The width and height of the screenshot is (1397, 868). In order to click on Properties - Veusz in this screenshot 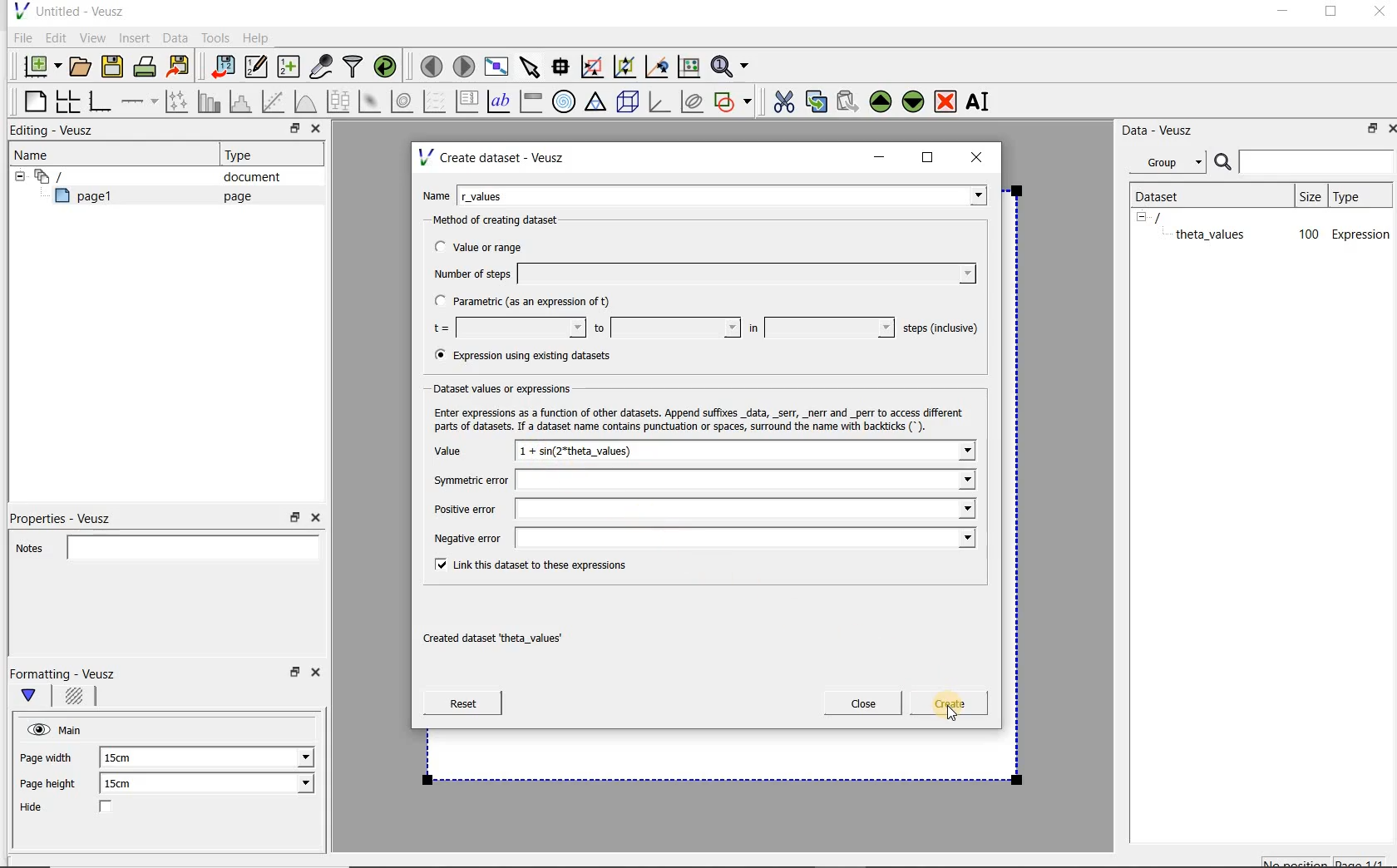, I will do `click(69, 515)`.